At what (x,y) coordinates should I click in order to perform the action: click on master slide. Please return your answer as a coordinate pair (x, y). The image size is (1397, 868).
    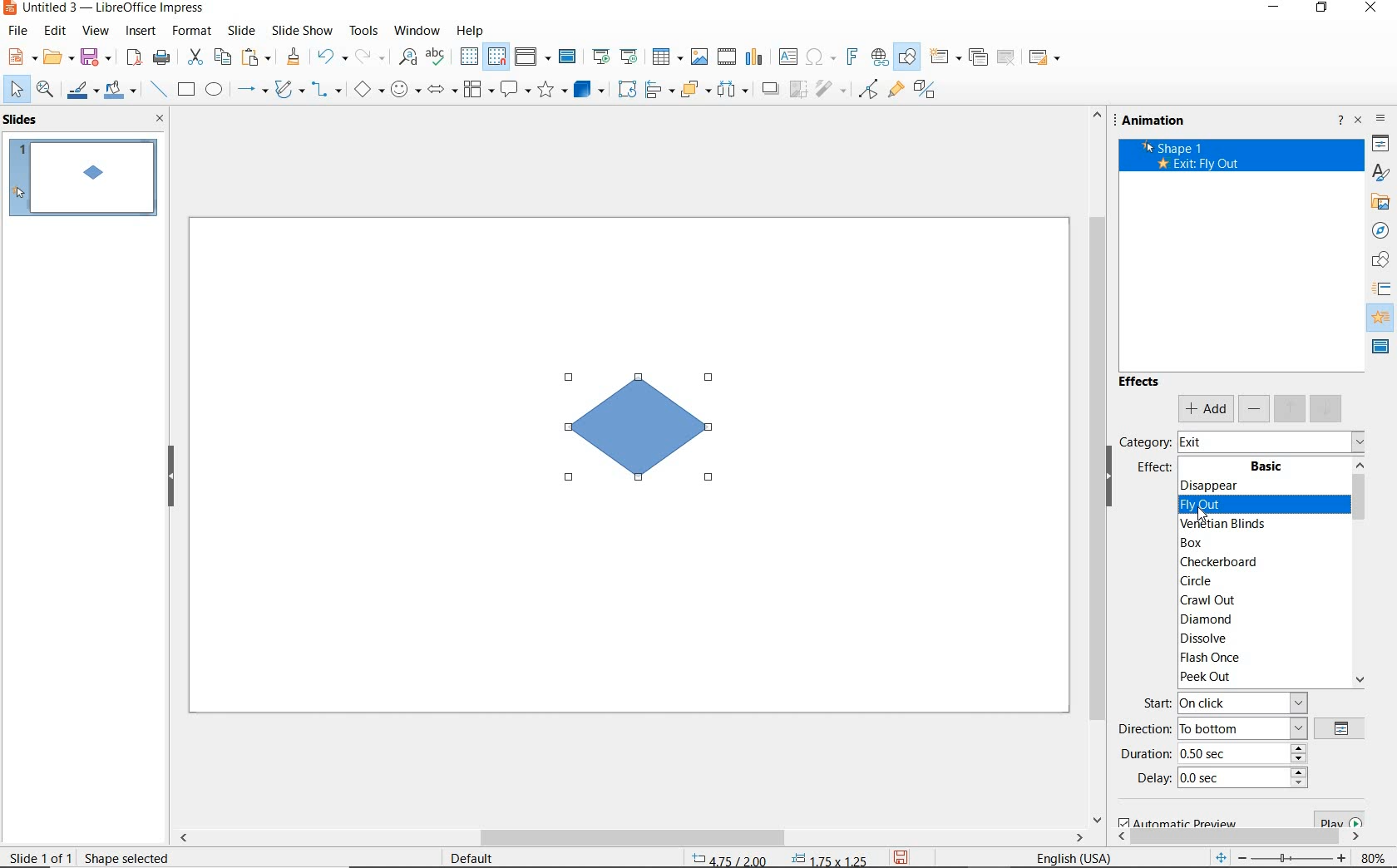
    Looking at the image, I should click on (570, 57).